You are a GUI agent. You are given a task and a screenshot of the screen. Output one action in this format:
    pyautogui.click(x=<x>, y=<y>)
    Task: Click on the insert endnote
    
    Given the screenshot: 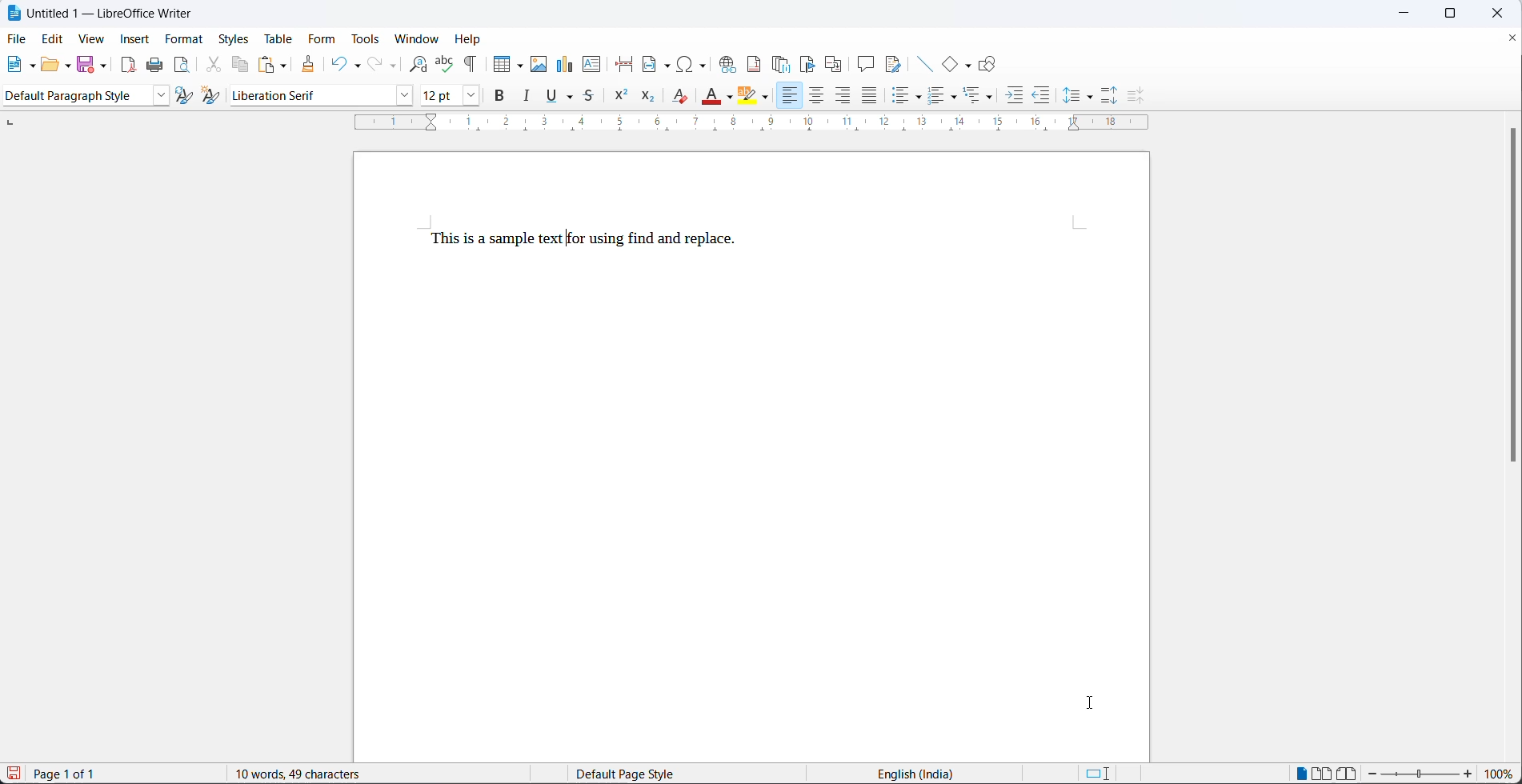 What is the action you would take?
    pyautogui.click(x=783, y=64)
    